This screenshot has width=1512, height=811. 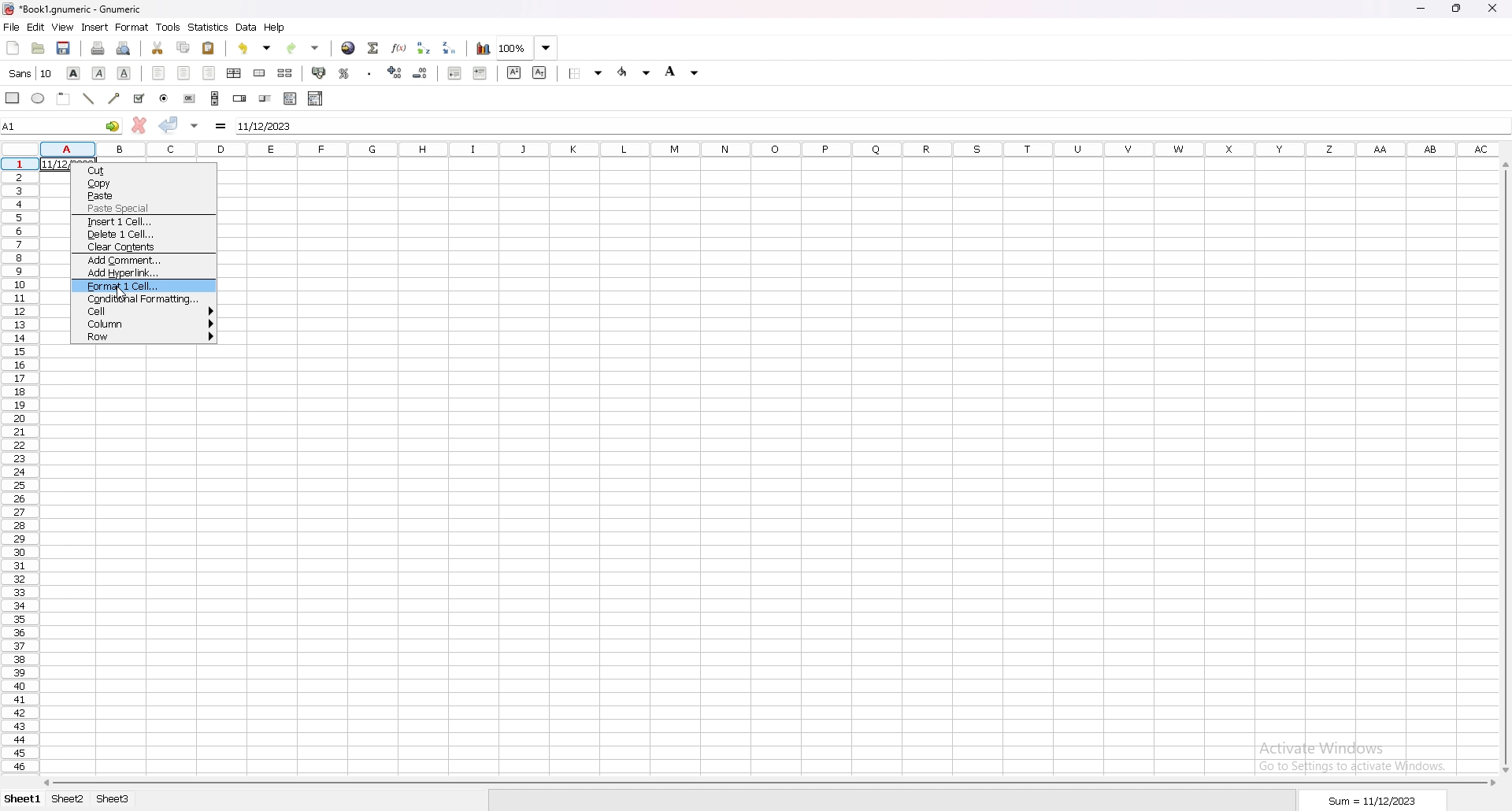 I want to click on tools, so click(x=168, y=28).